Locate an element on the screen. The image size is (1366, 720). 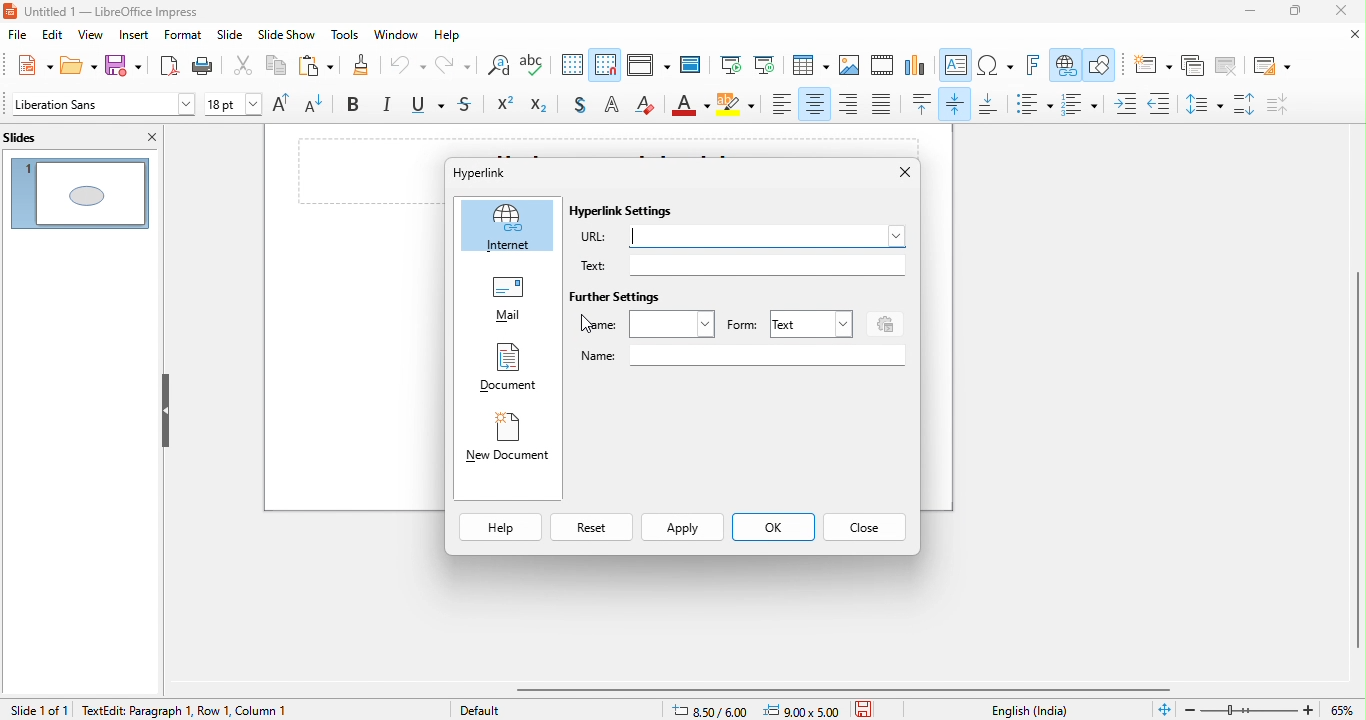
events is located at coordinates (882, 322).